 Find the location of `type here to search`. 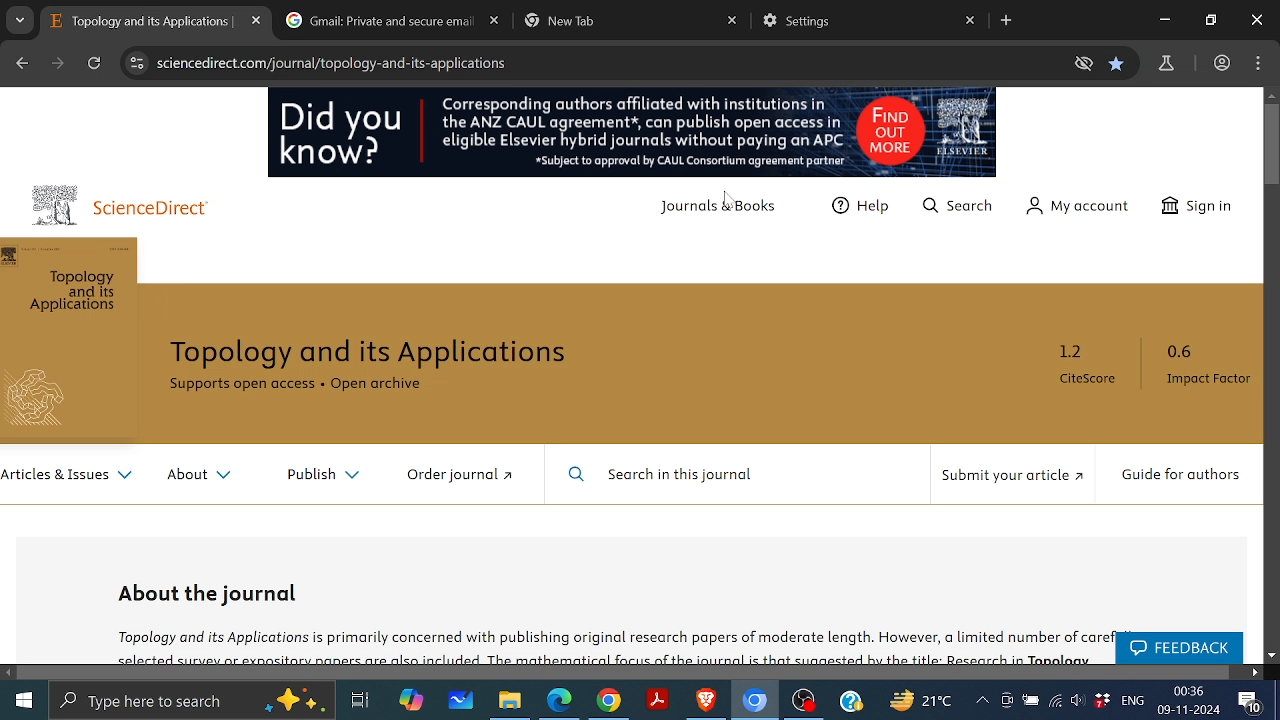

type here to search is located at coordinates (191, 703).